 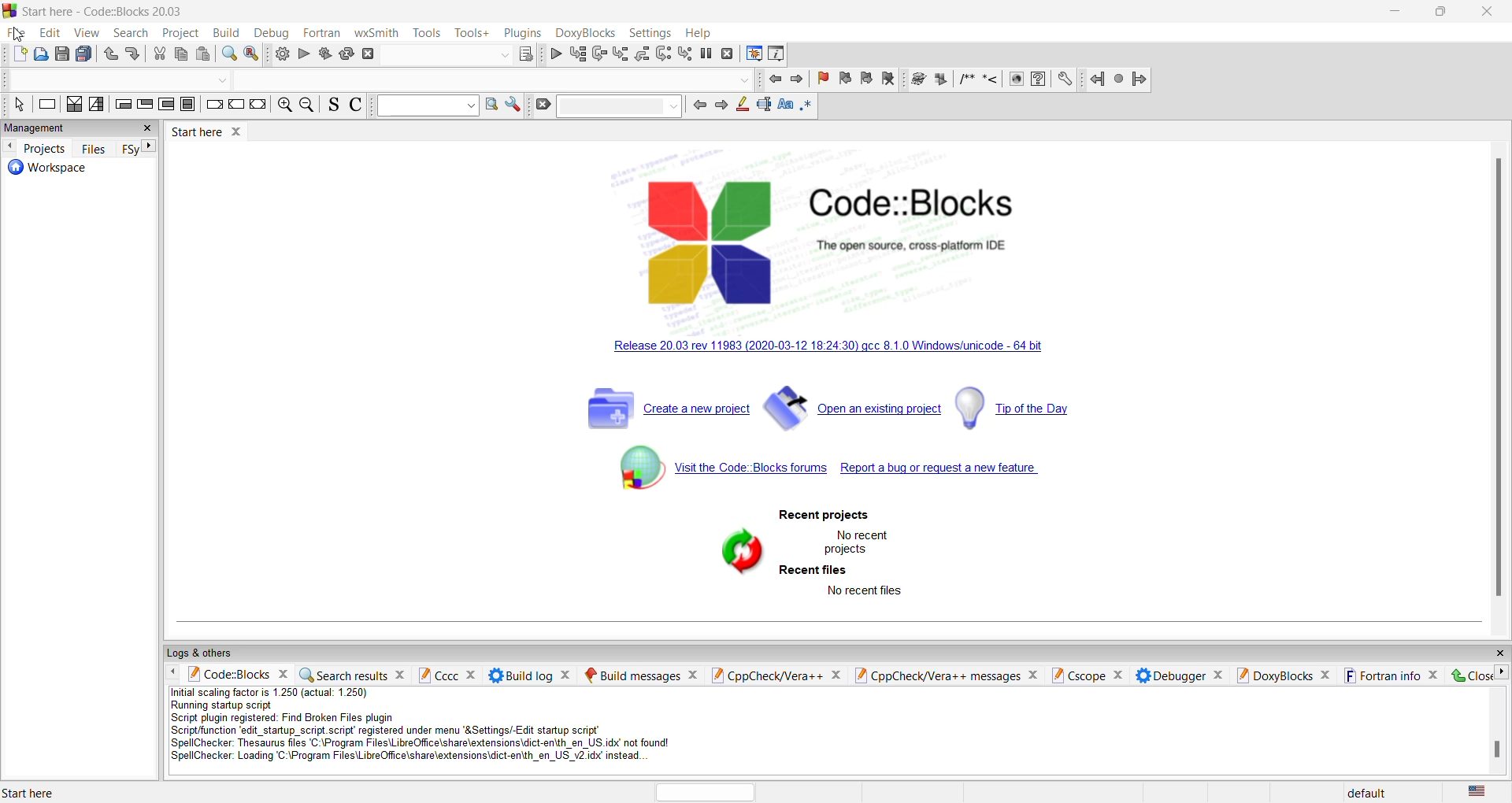 What do you see at coordinates (226, 33) in the screenshot?
I see `build` at bounding box center [226, 33].